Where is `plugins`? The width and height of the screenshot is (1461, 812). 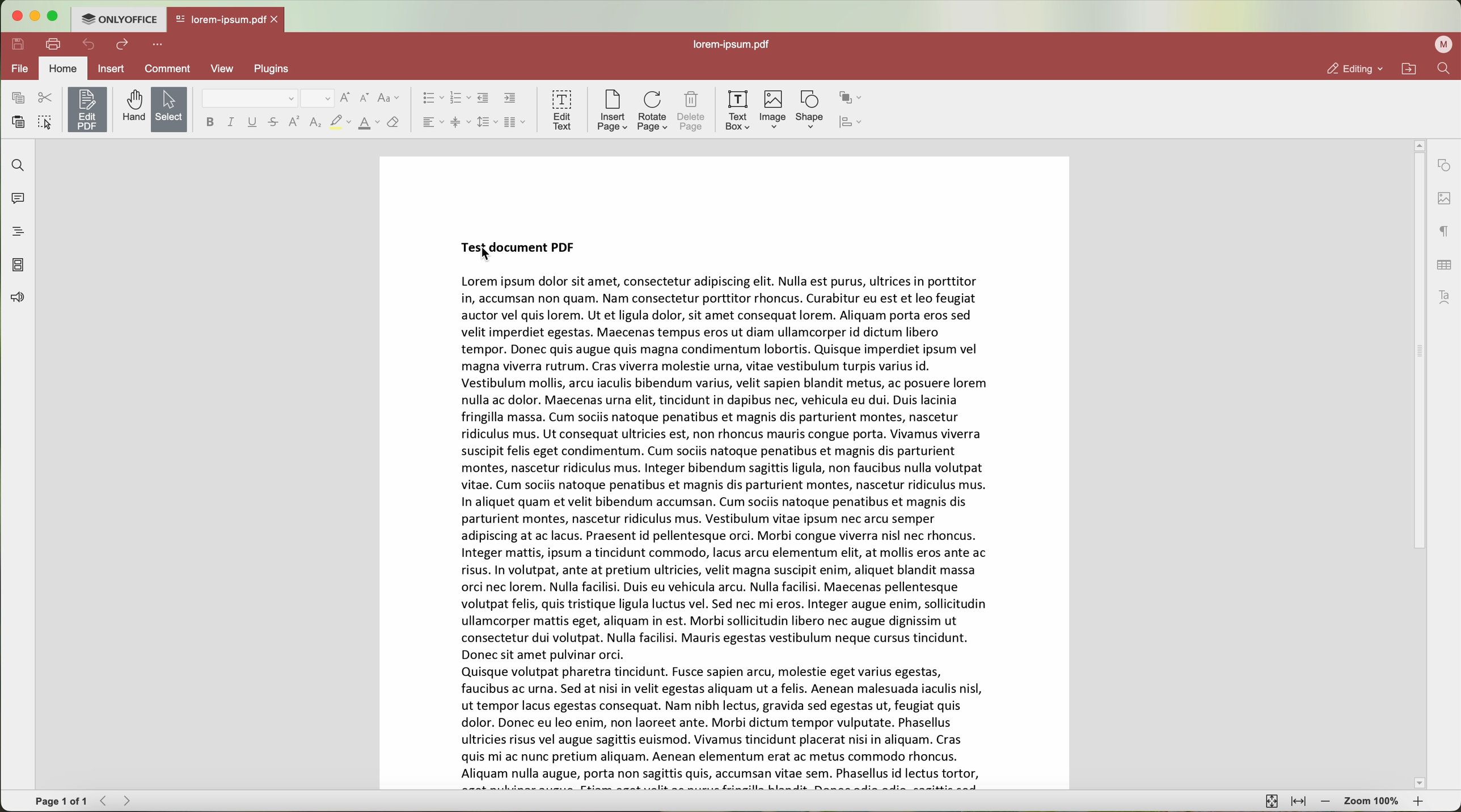 plugins is located at coordinates (275, 70).